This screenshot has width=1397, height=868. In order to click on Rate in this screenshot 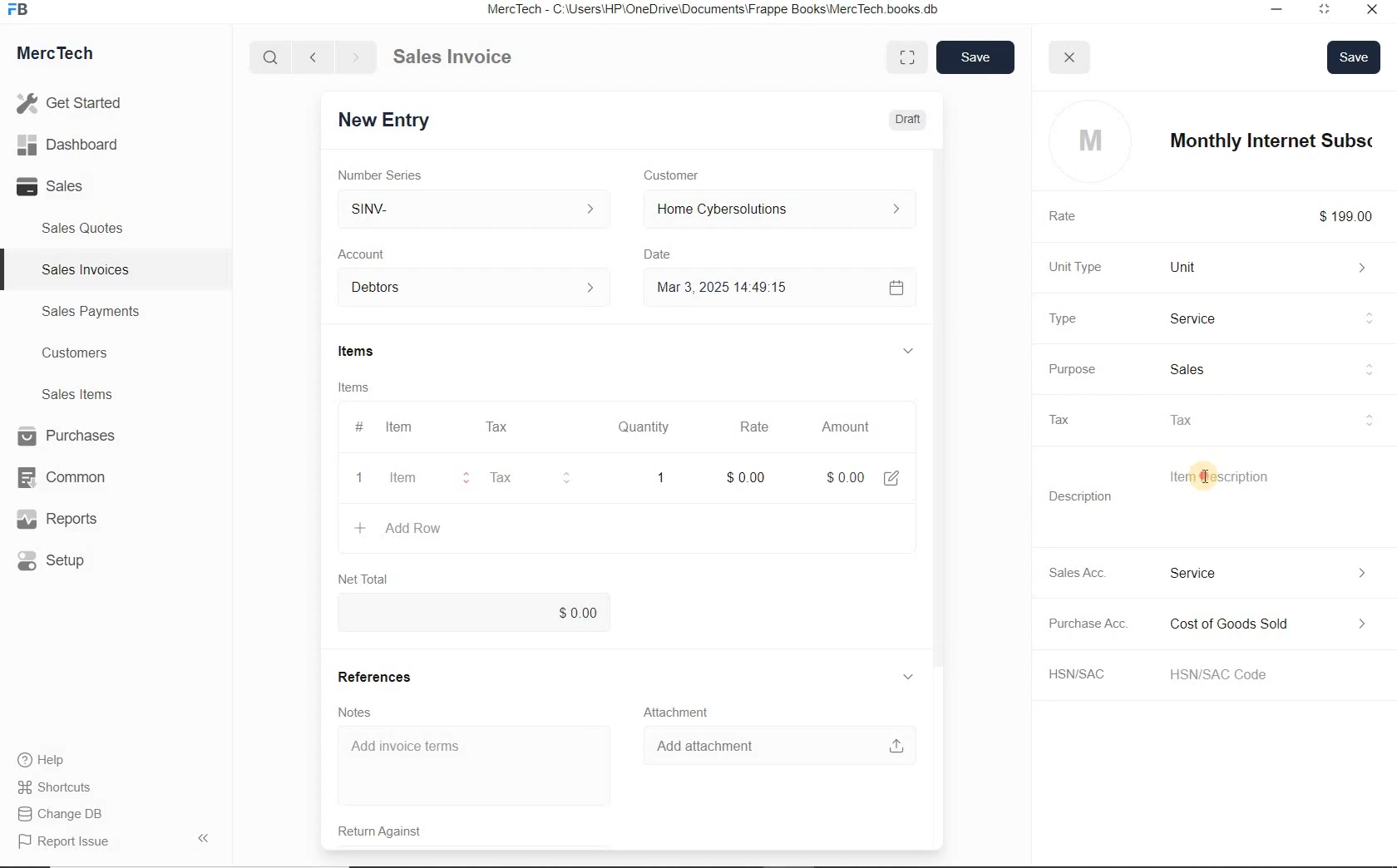, I will do `click(1059, 217)`.